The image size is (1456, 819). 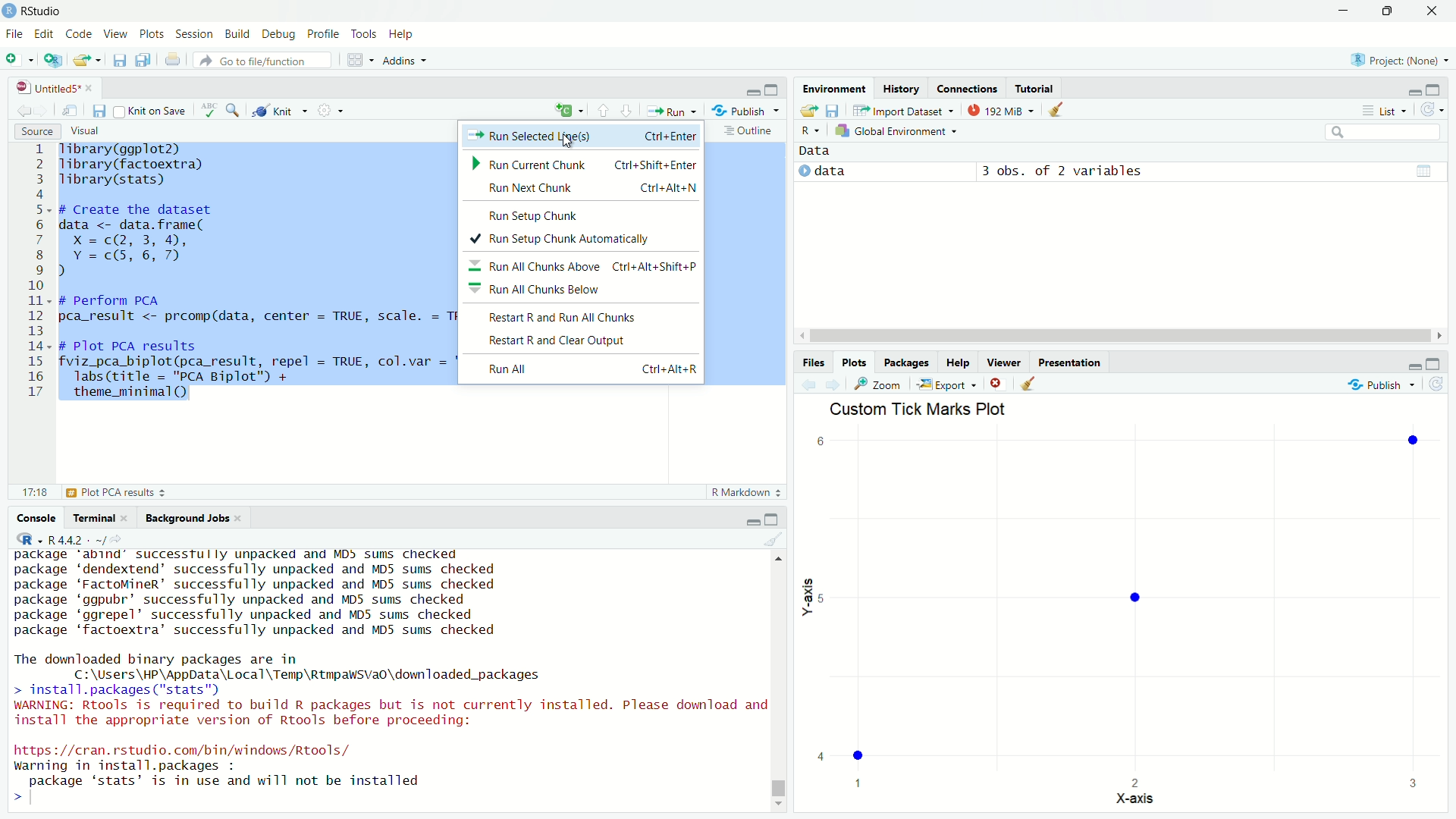 What do you see at coordinates (603, 110) in the screenshot?
I see `go to previous` at bounding box center [603, 110].